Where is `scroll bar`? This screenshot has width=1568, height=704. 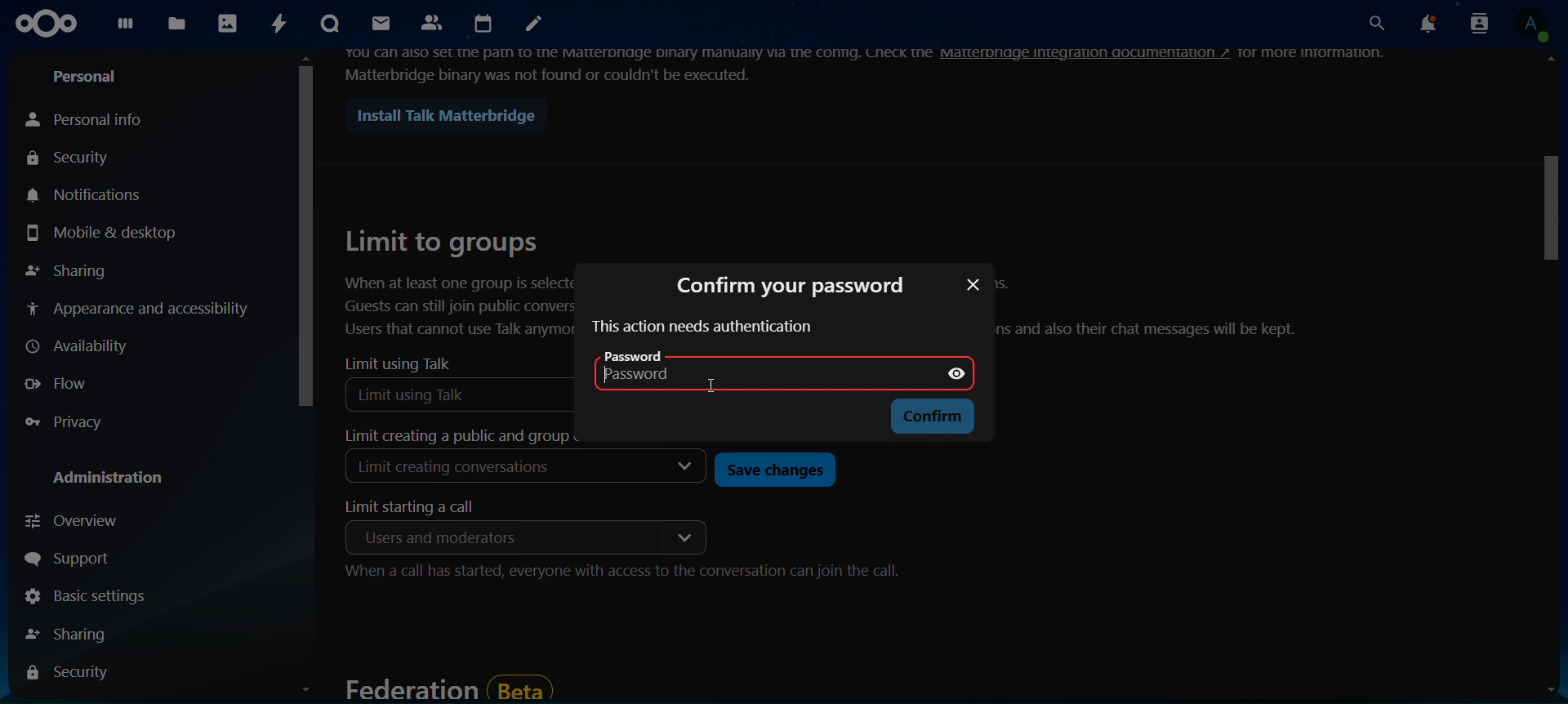
scroll bar is located at coordinates (1551, 380).